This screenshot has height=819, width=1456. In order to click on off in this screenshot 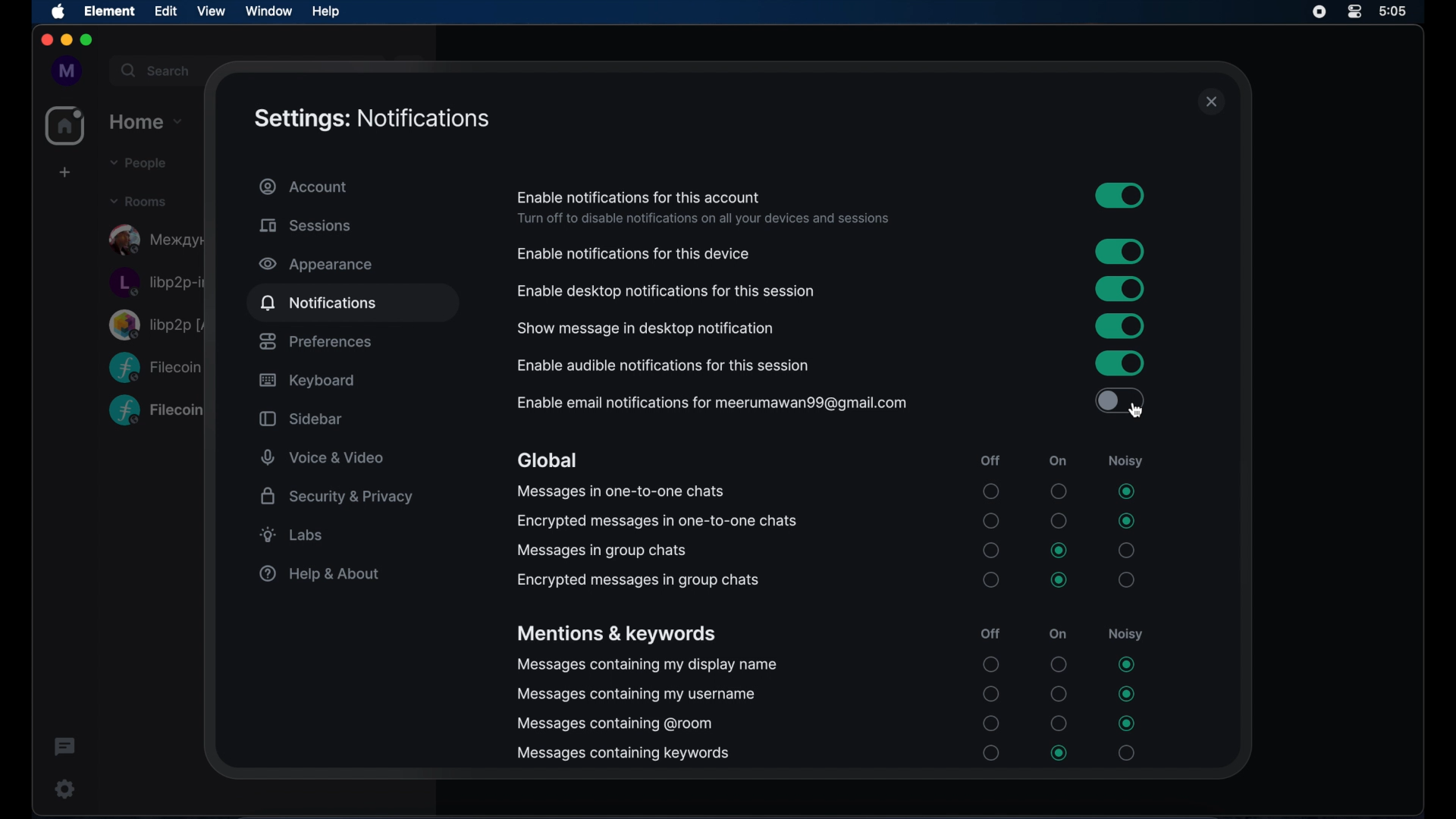, I will do `click(991, 633)`.